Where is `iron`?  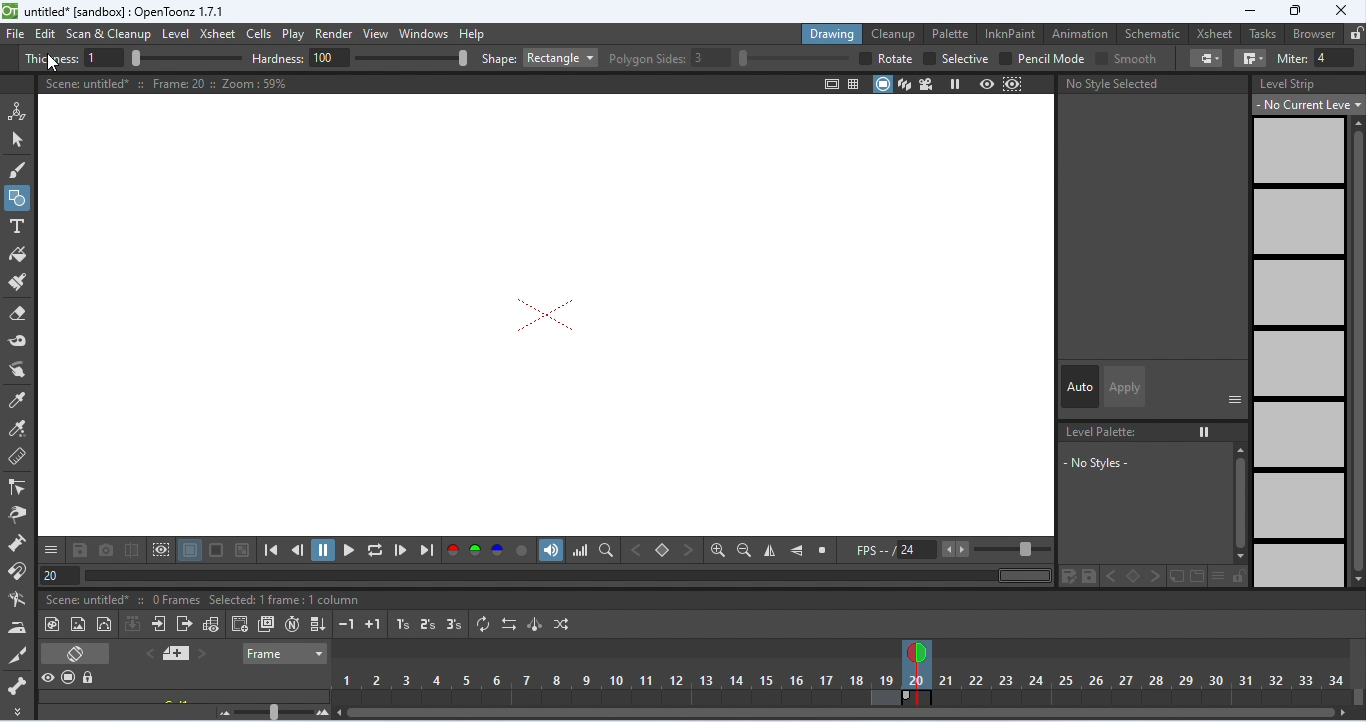
iron is located at coordinates (17, 627).